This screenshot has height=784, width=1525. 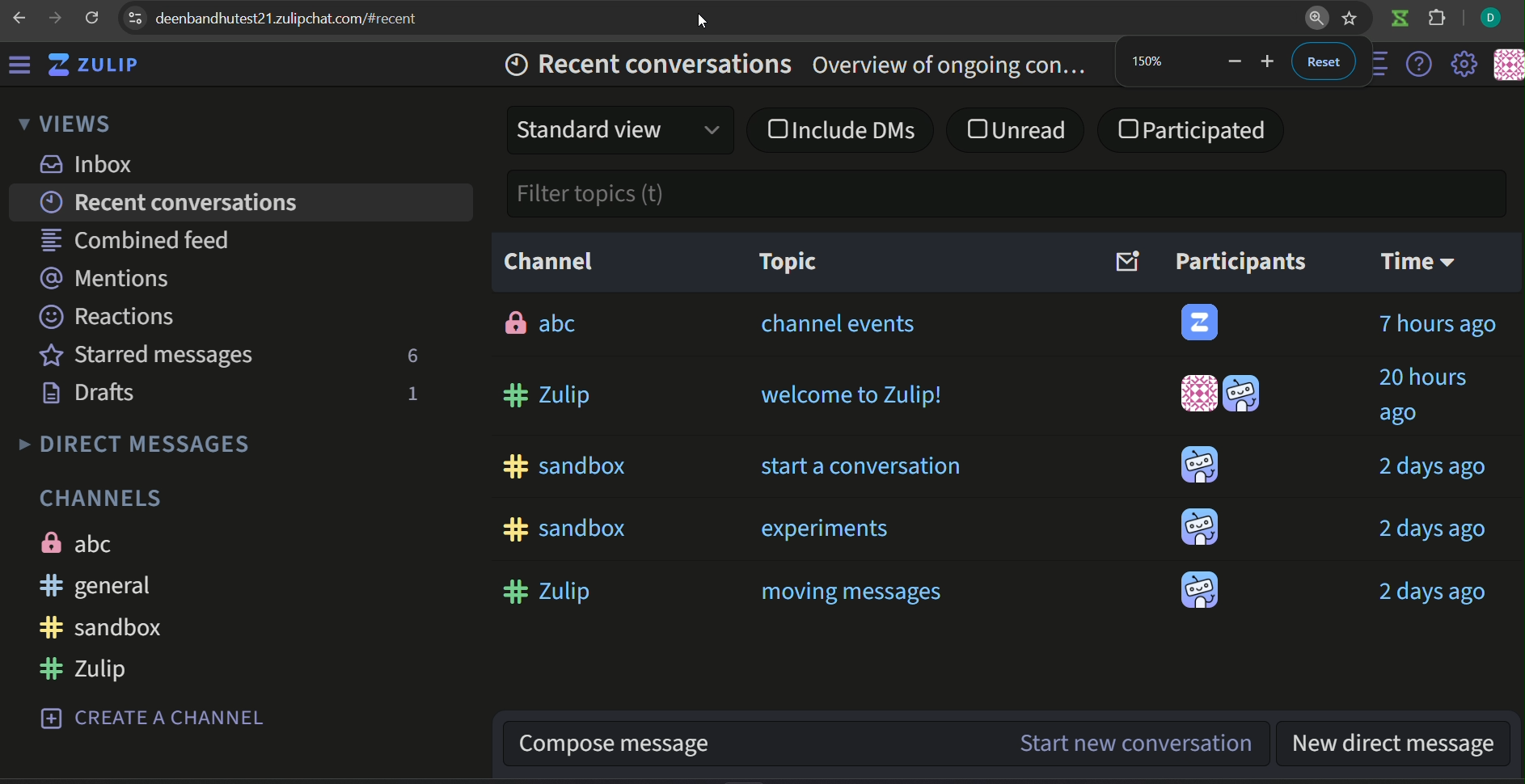 What do you see at coordinates (1442, 322) in the screenshot?
I see `7 hours ago` at bounding box center [1442, 322].